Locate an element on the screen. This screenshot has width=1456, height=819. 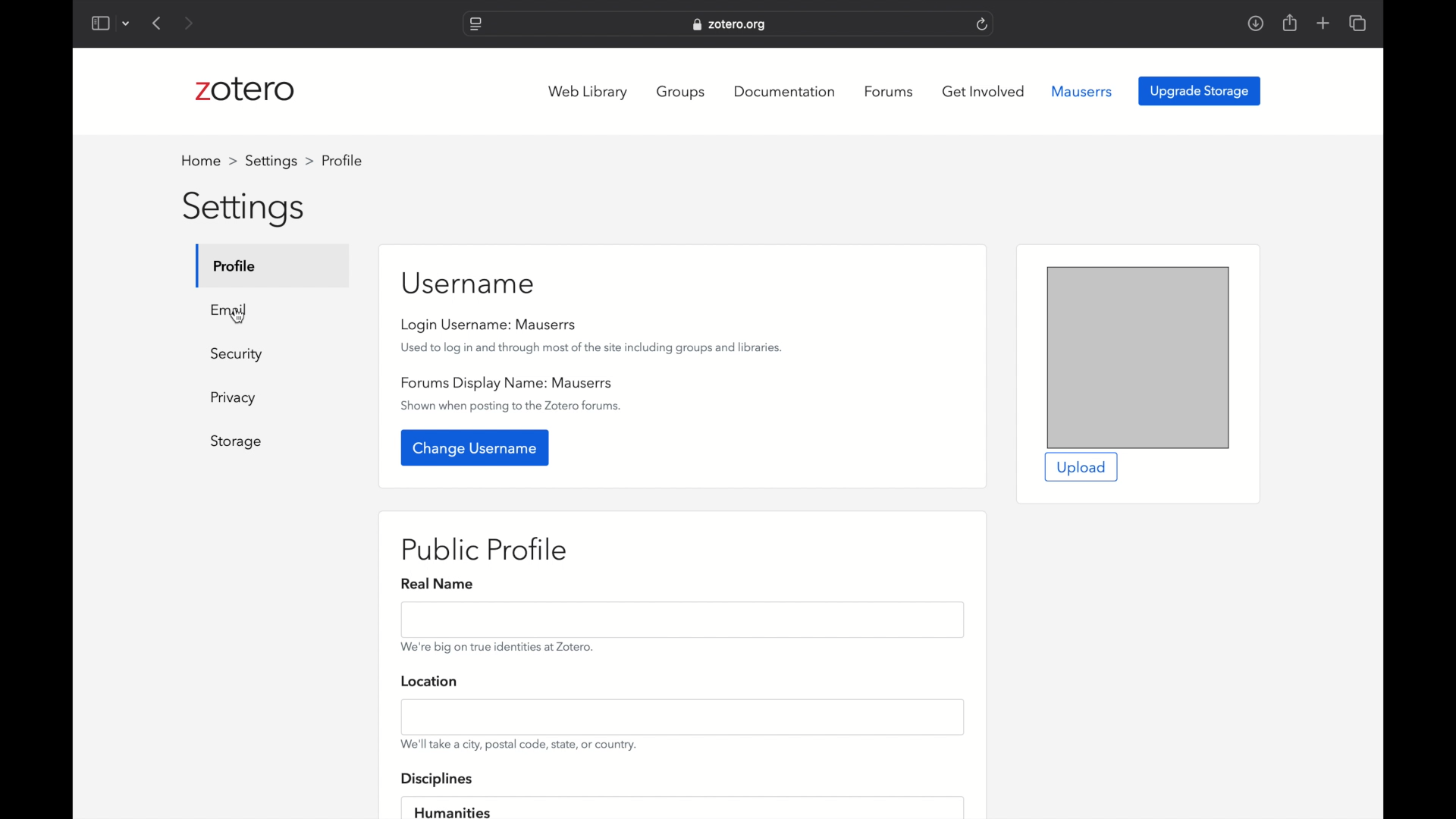
email is located at coordinates (231, 309).